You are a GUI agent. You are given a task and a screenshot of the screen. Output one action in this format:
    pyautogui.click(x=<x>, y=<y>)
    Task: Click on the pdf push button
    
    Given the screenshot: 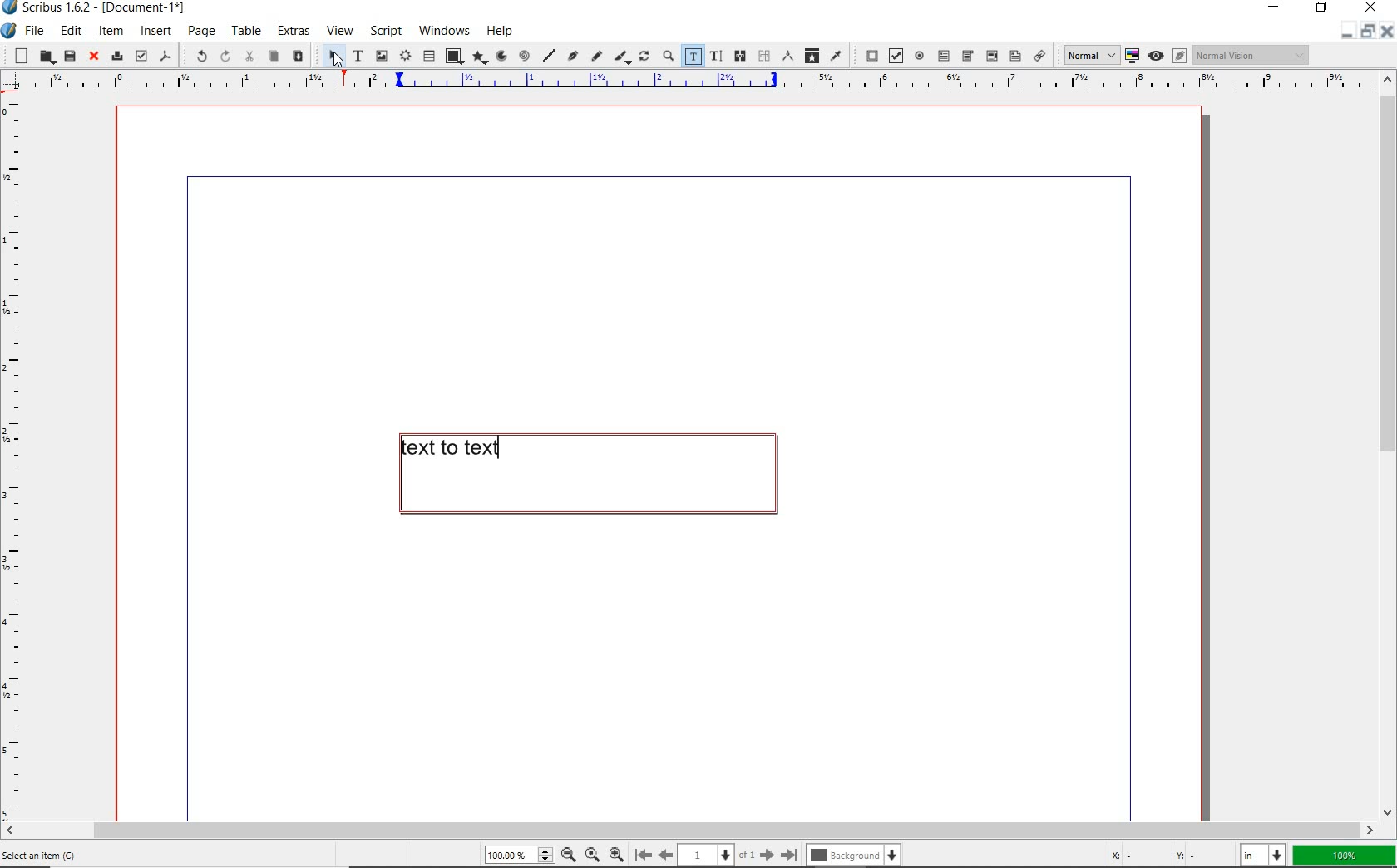 What is the action you would take?
    pyautogui.click(x=868, y=56)
    